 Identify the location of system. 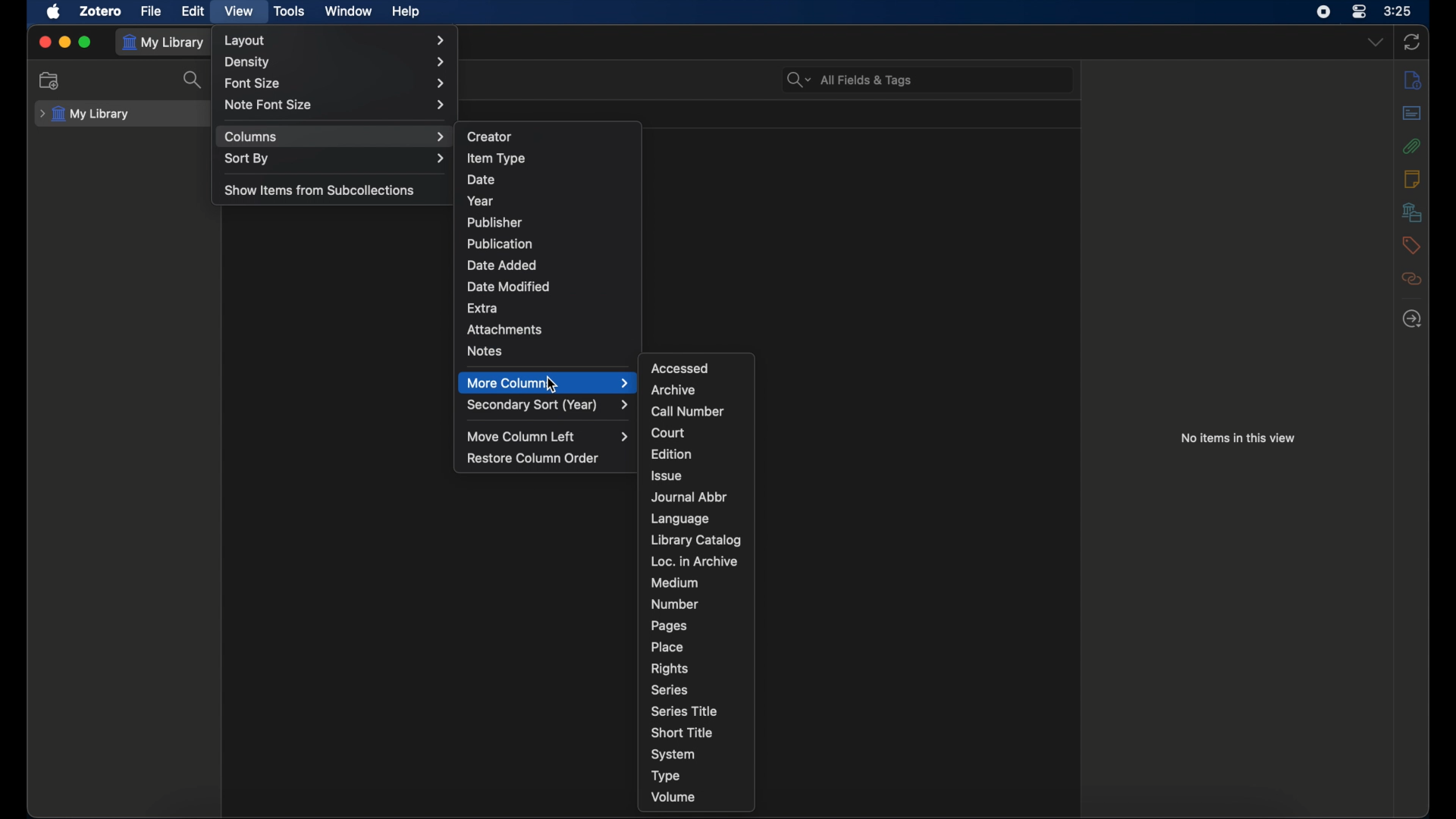
(673, 755).